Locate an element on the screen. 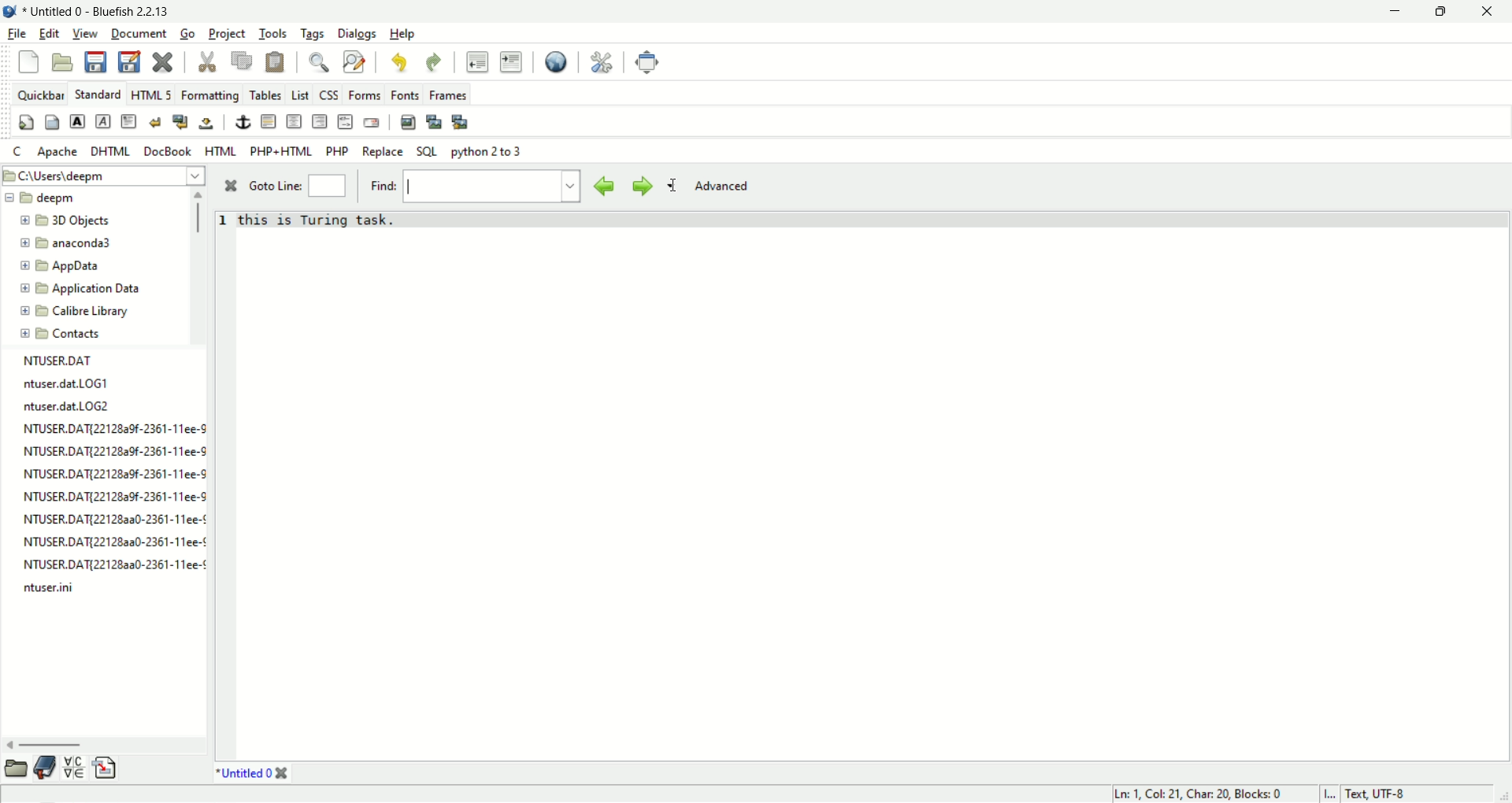  I... Text, UTF-8 is located at coordinates (1366, 792).